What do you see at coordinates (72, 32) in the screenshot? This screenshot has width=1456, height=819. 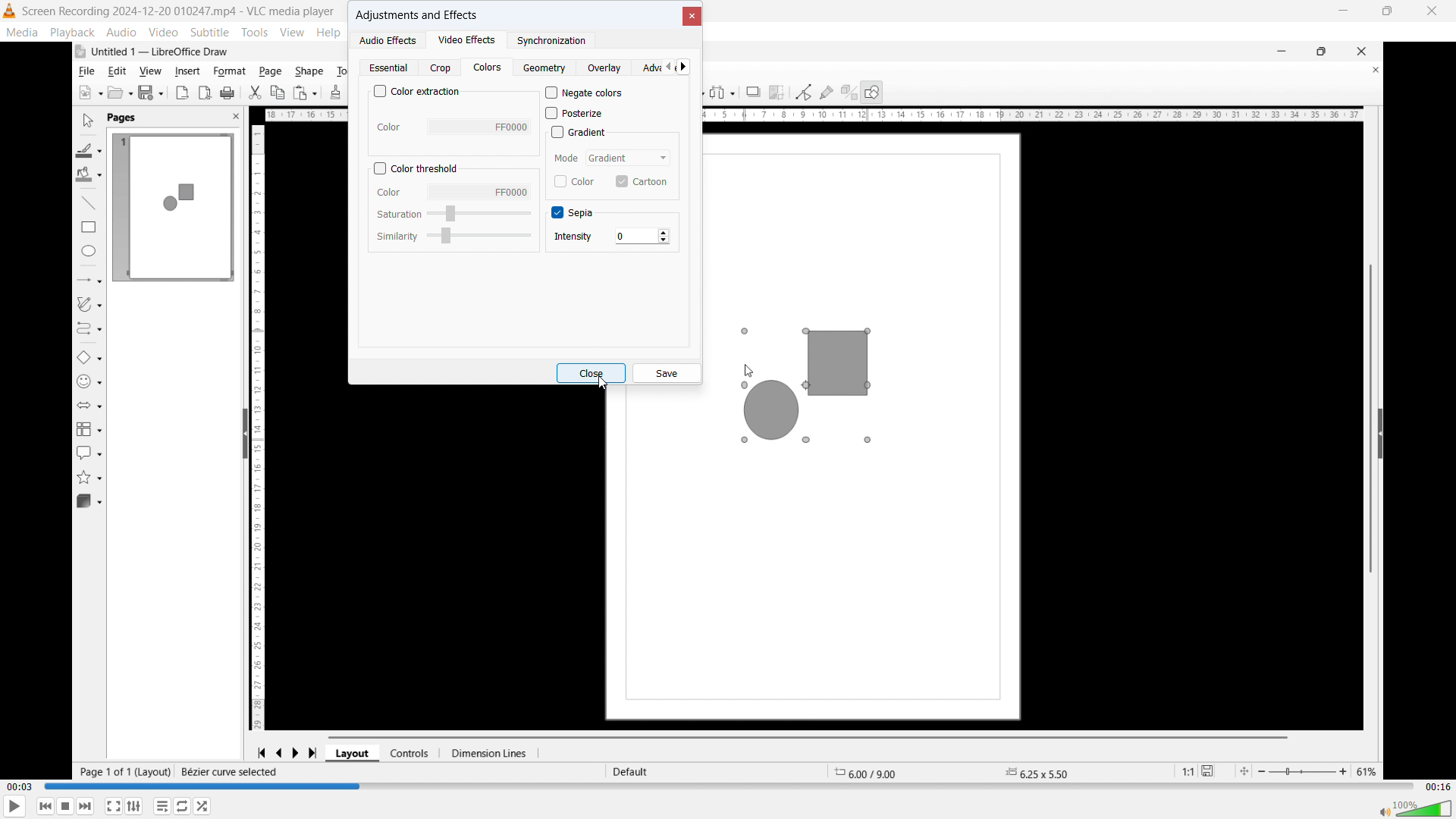 I see `playback` at bounding box center [72, 32].